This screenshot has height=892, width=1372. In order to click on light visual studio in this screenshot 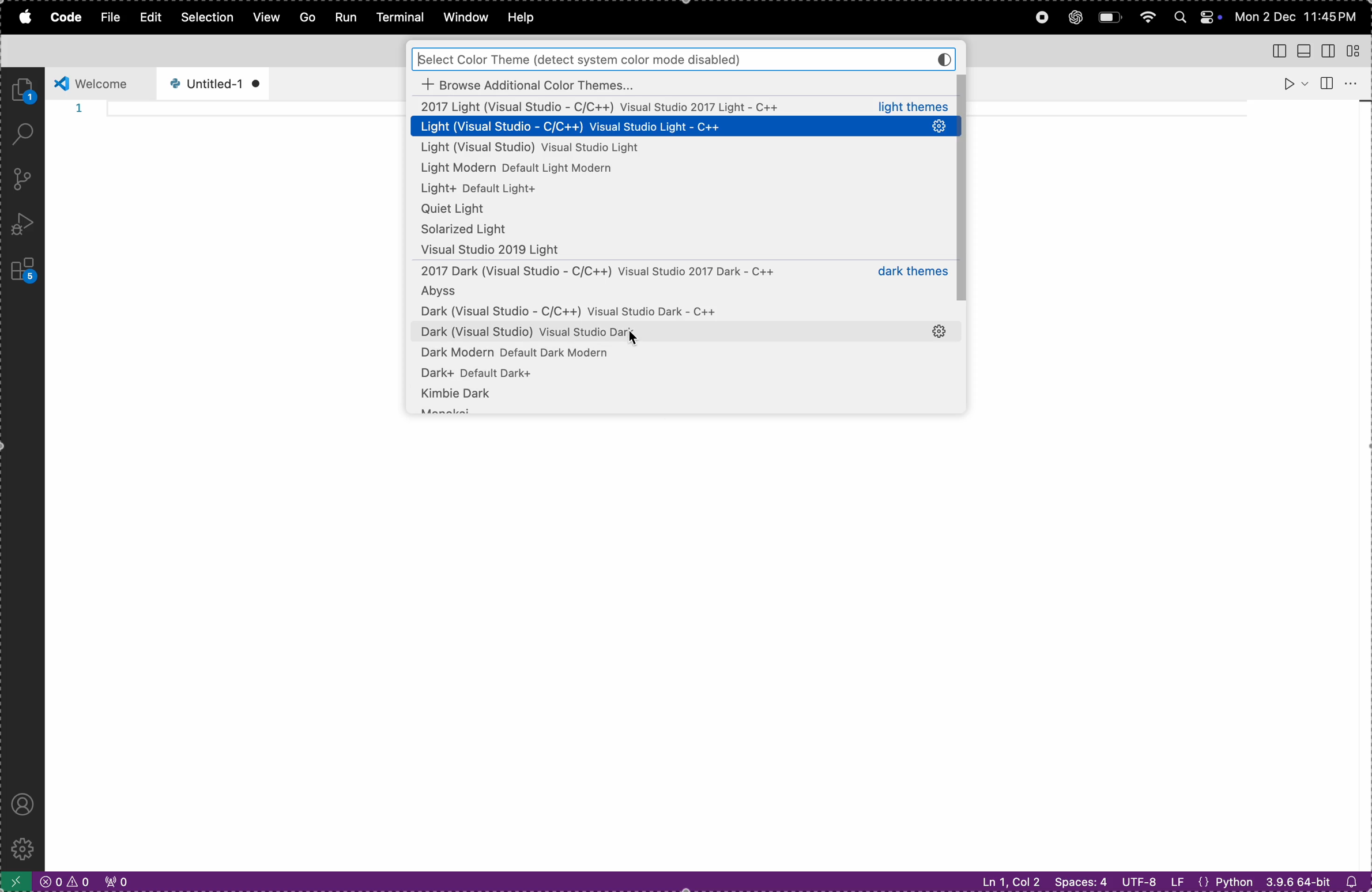, I will do `click(685, 107)`.